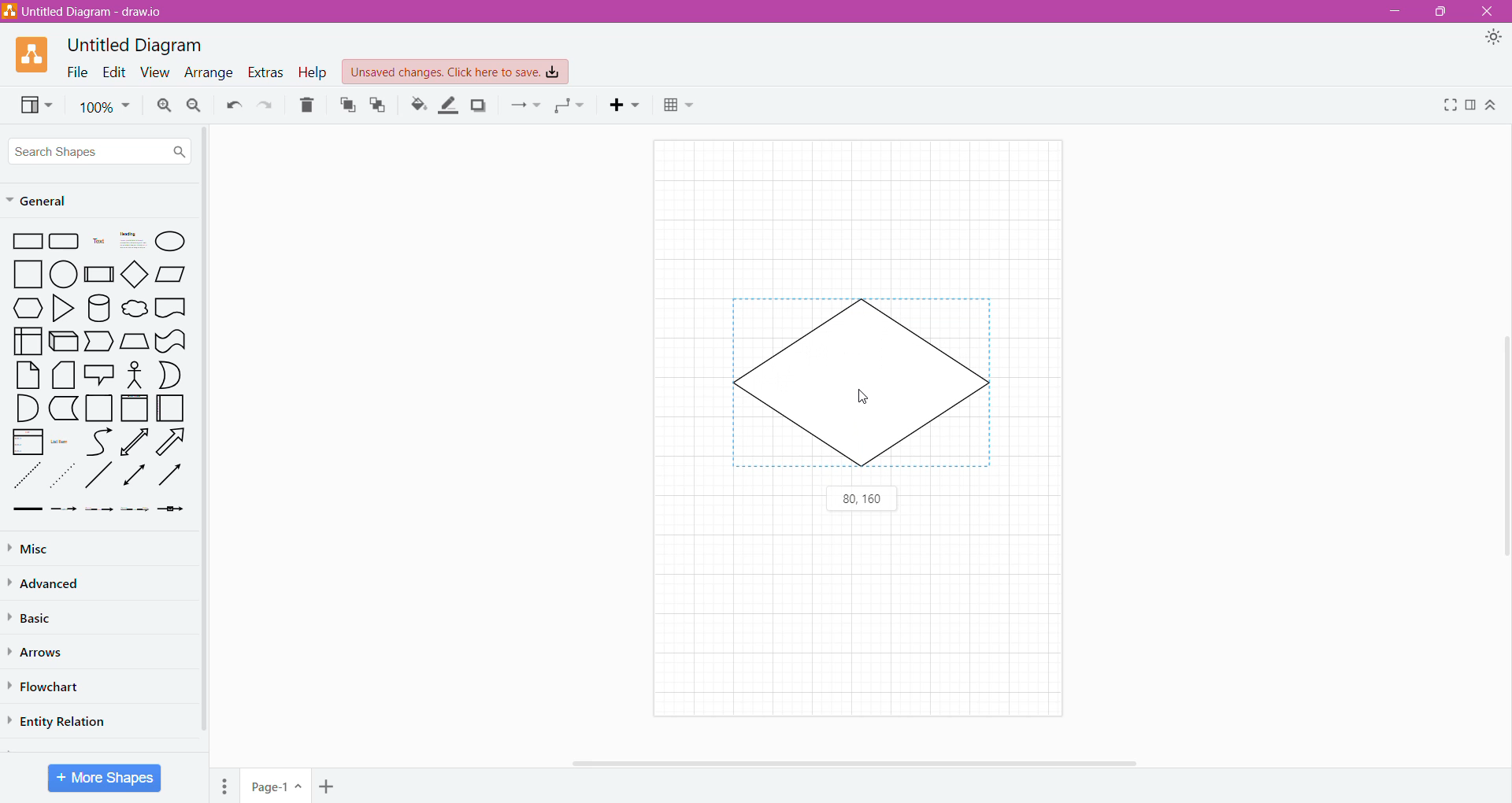 This screenshot has height=803, width=1512. What do you see at coordinates (525, 105) in the screenshot?
I see `Connection` at bounding box center [525, 105].